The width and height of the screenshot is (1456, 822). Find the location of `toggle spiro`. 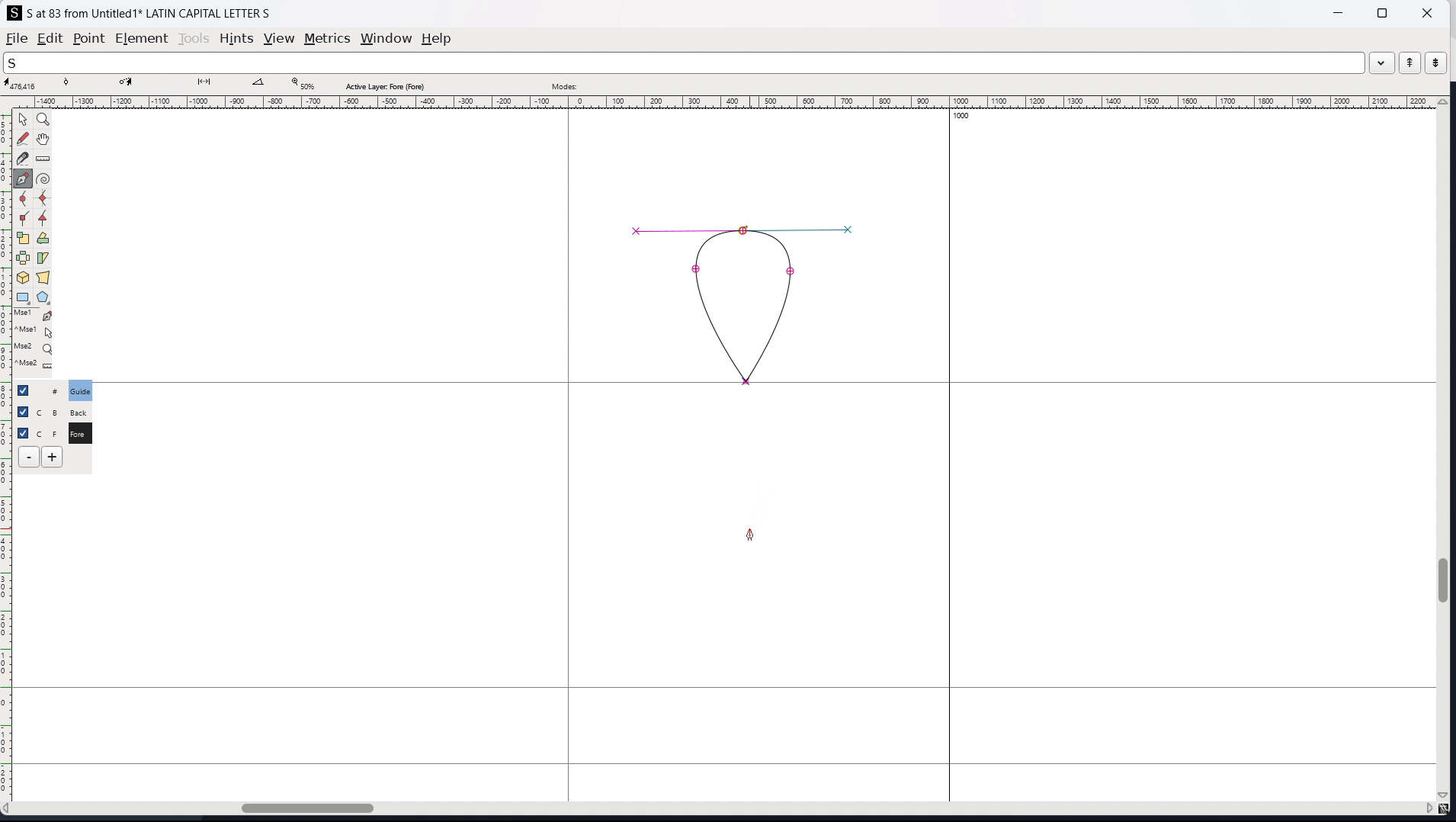

toggle spiro is located at coordinates (43, 178).